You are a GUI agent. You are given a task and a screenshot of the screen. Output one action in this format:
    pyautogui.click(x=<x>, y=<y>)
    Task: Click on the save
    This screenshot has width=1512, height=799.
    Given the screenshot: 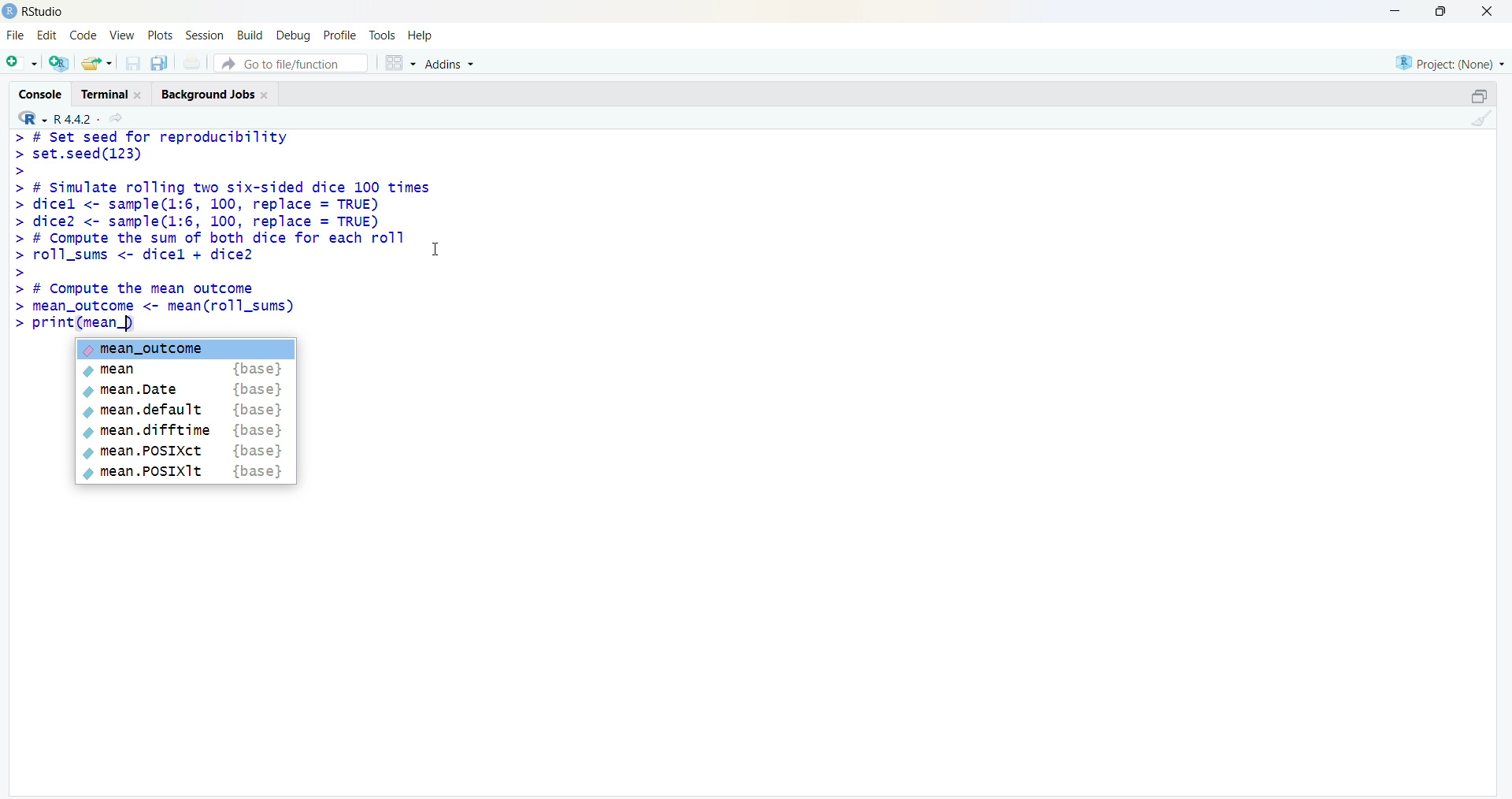 What is the action you would take?
    pyautogui.click(x=132, y=63)
    